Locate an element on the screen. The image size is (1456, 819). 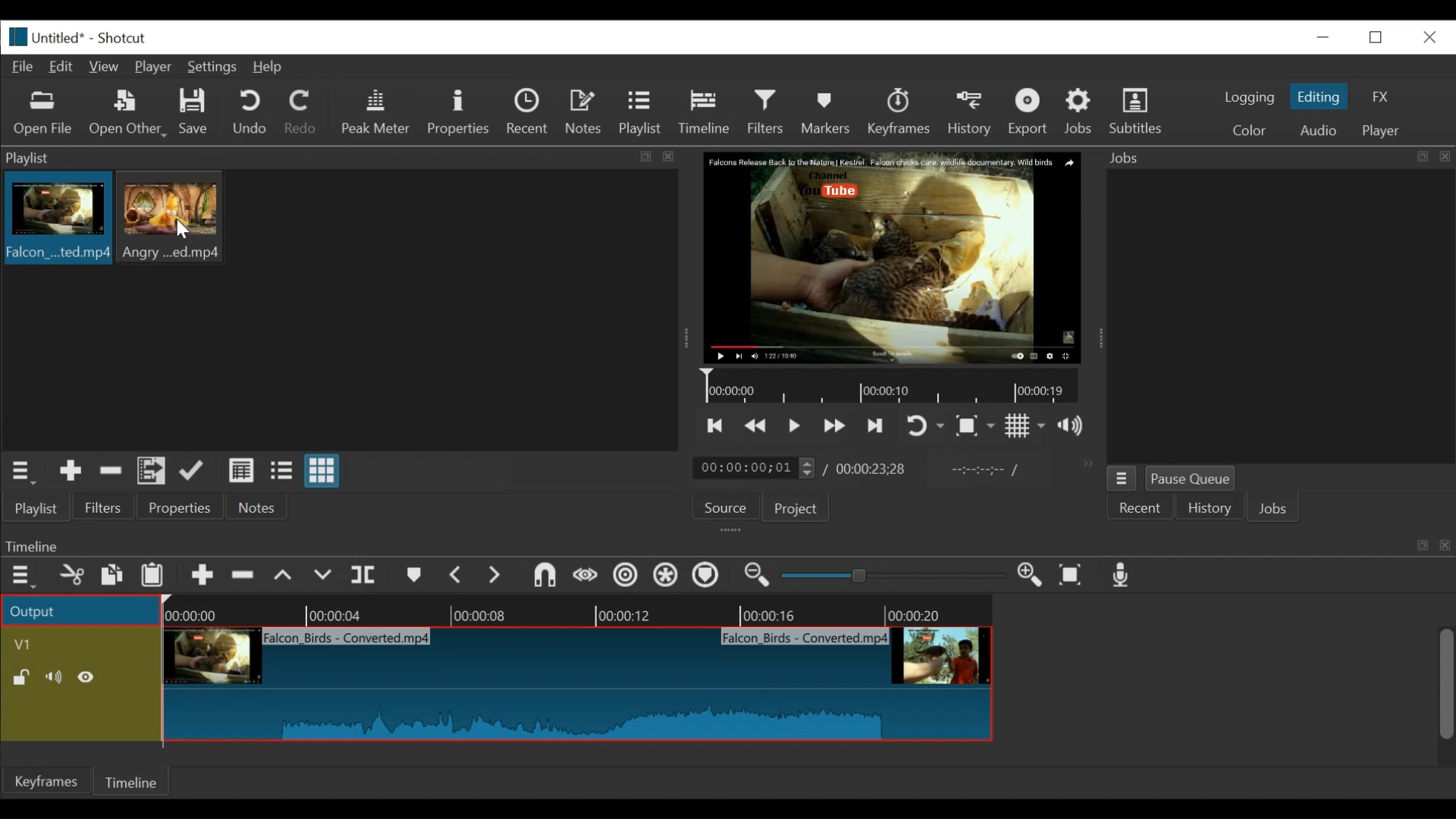
File is located at coordinates (26, 67).